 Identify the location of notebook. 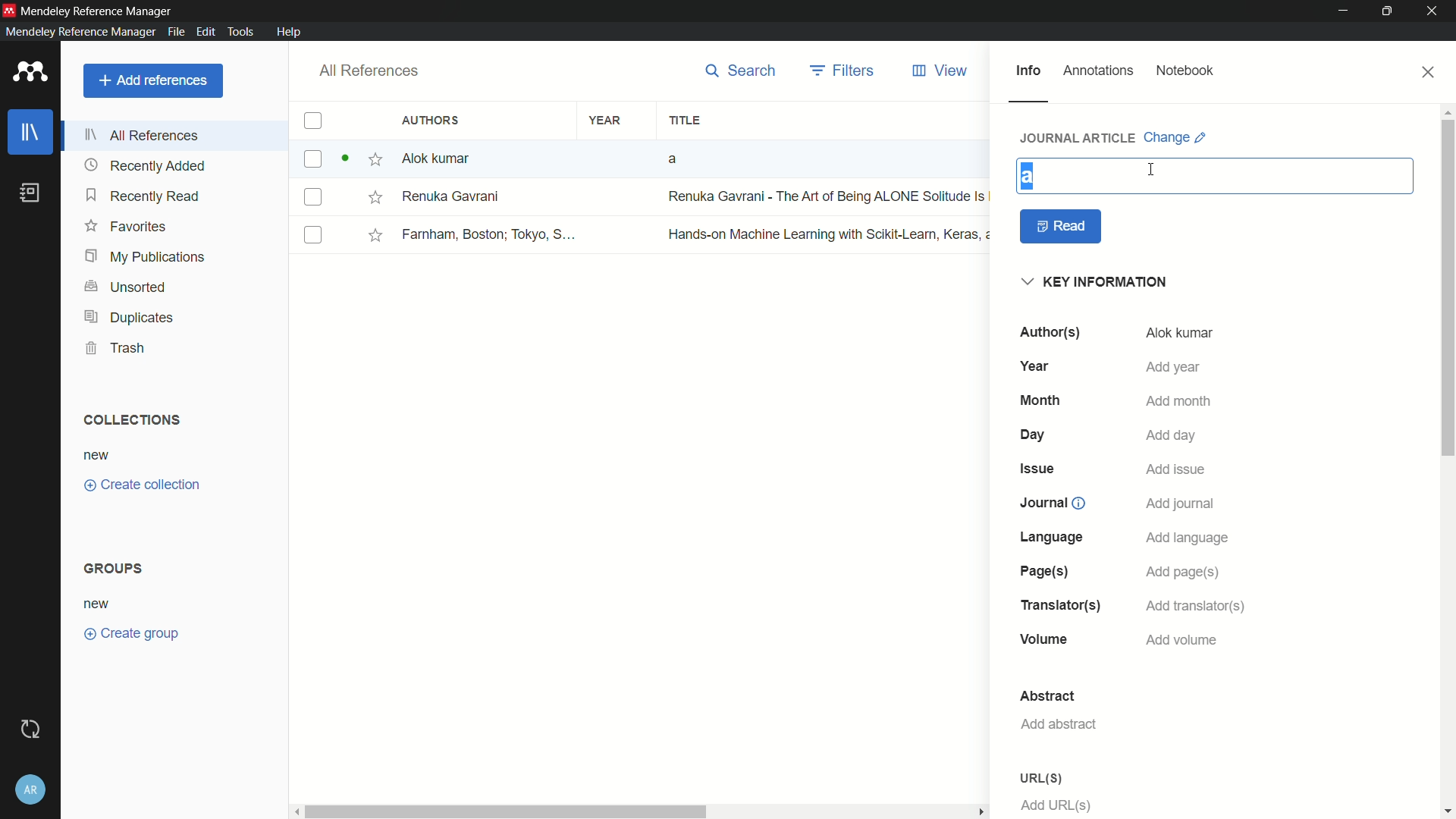
(1185, 71).